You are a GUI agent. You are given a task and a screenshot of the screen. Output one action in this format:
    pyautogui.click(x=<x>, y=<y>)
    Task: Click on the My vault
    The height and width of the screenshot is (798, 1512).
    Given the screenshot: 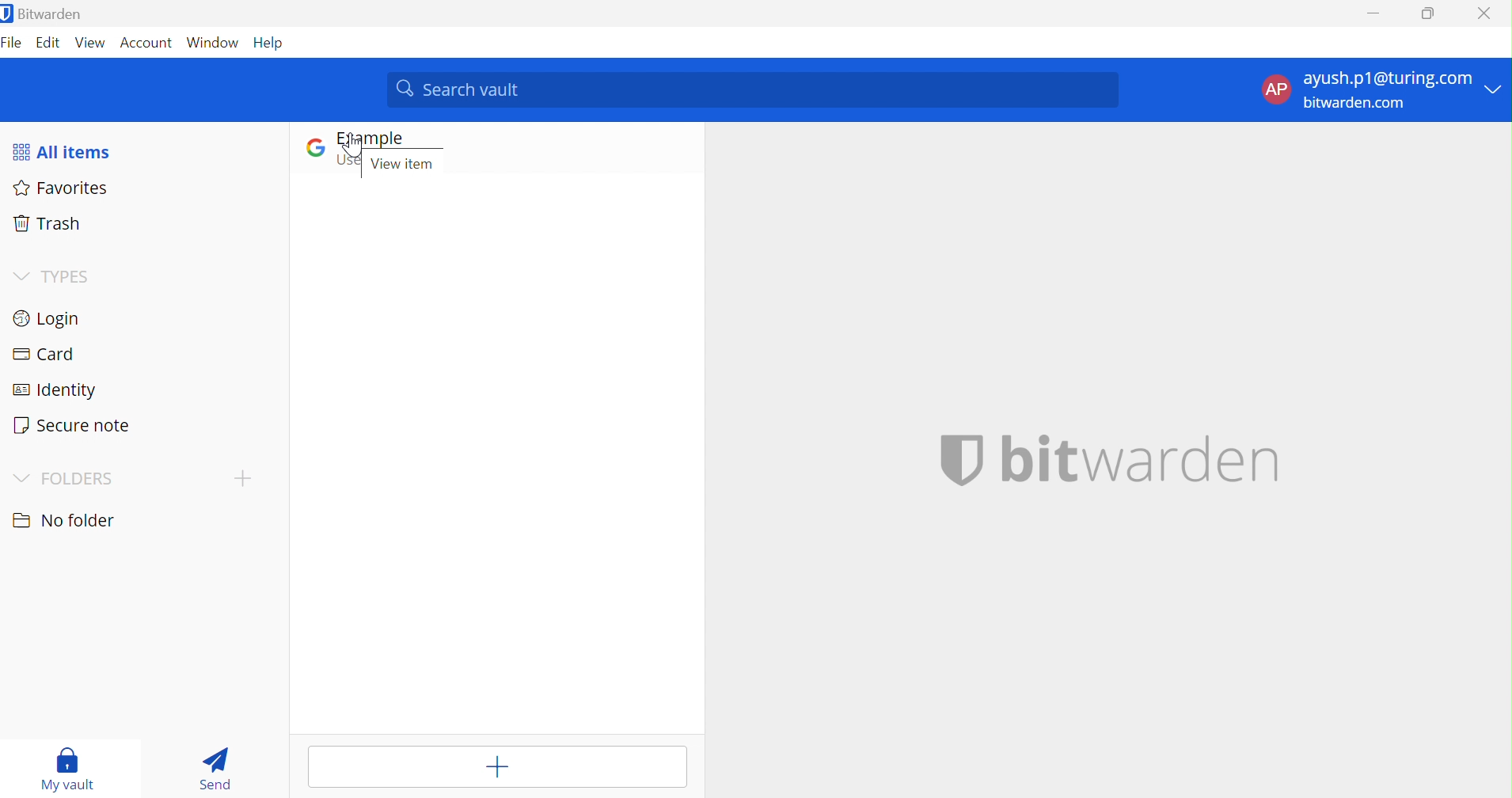 What is the action you would take?
    pyautogui.click(x=69, y=767)
    